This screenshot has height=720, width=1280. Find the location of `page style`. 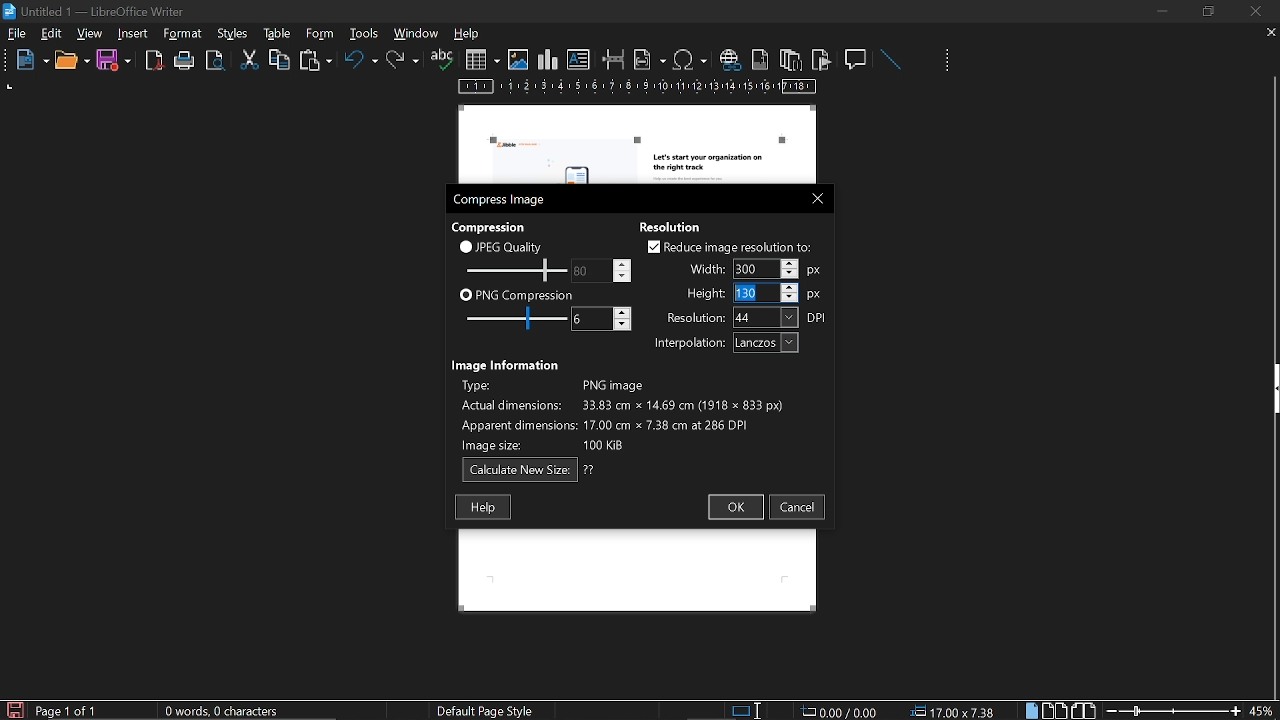

page style is located at coordinates (489, 710).